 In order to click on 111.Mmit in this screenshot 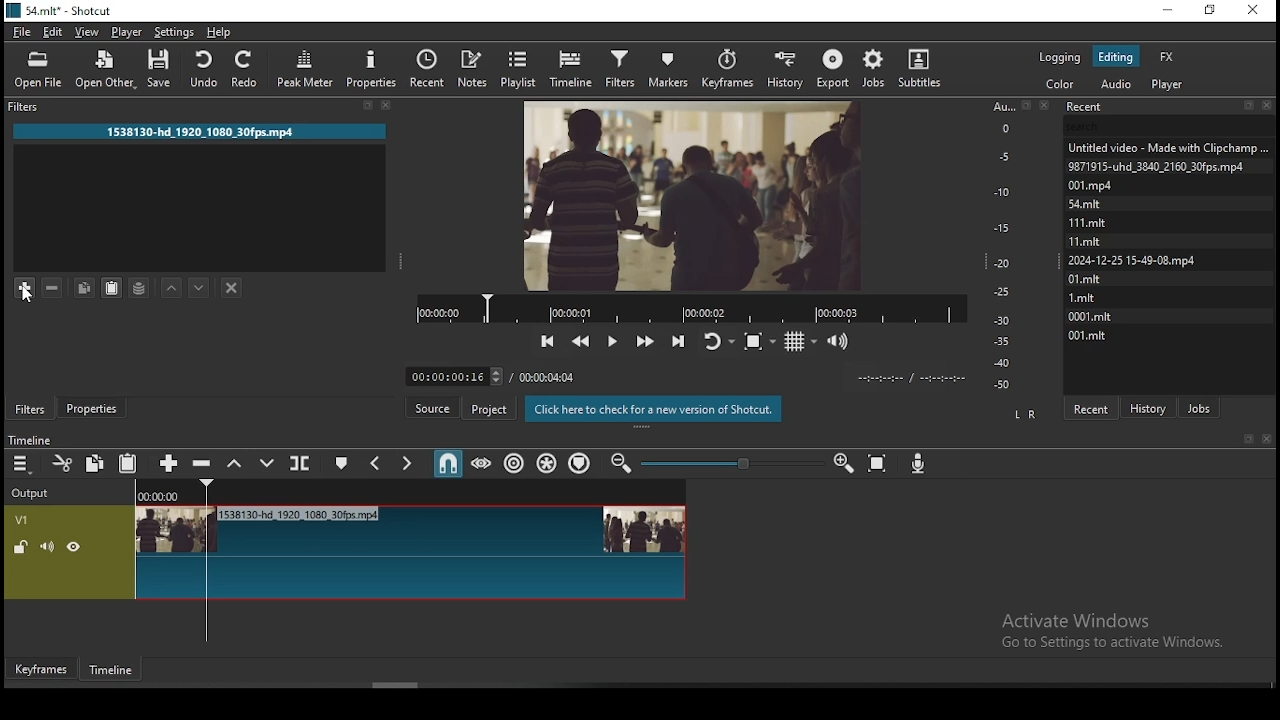, I will do `click(1089, 221)`.